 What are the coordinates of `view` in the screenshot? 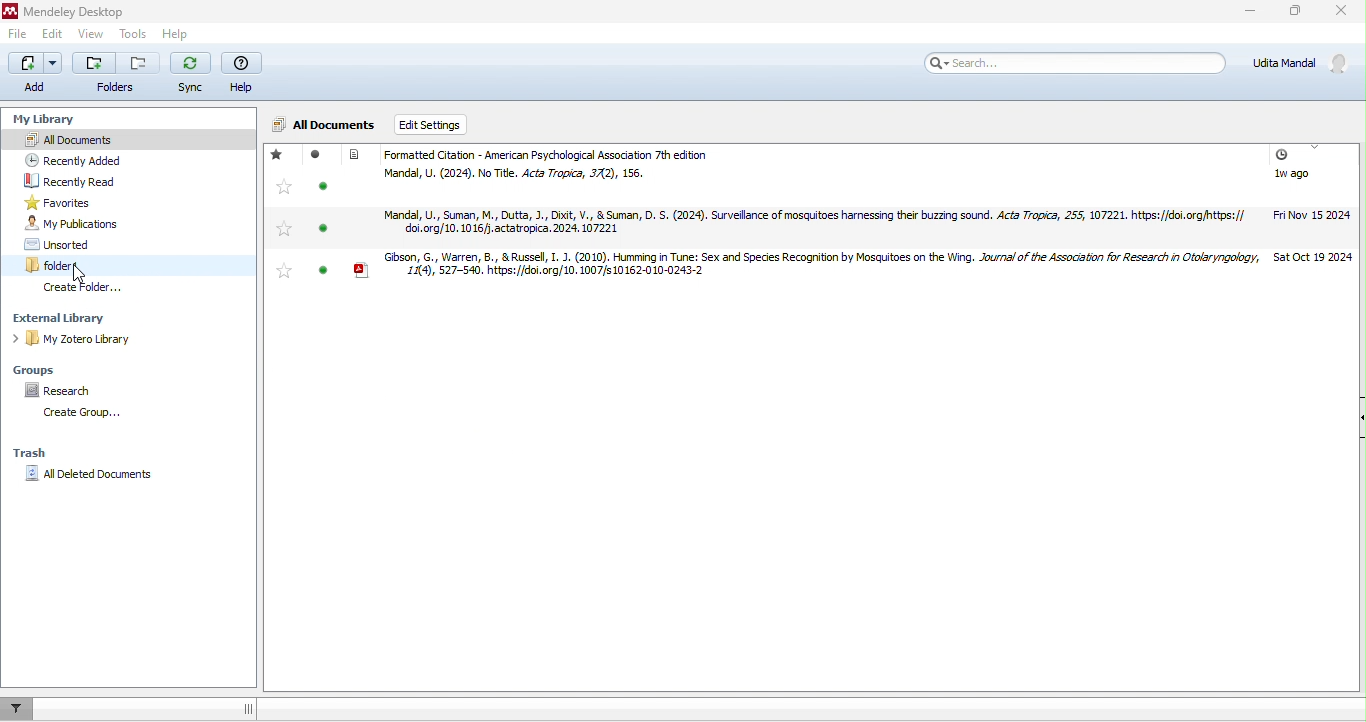 It's located at (90, 32).